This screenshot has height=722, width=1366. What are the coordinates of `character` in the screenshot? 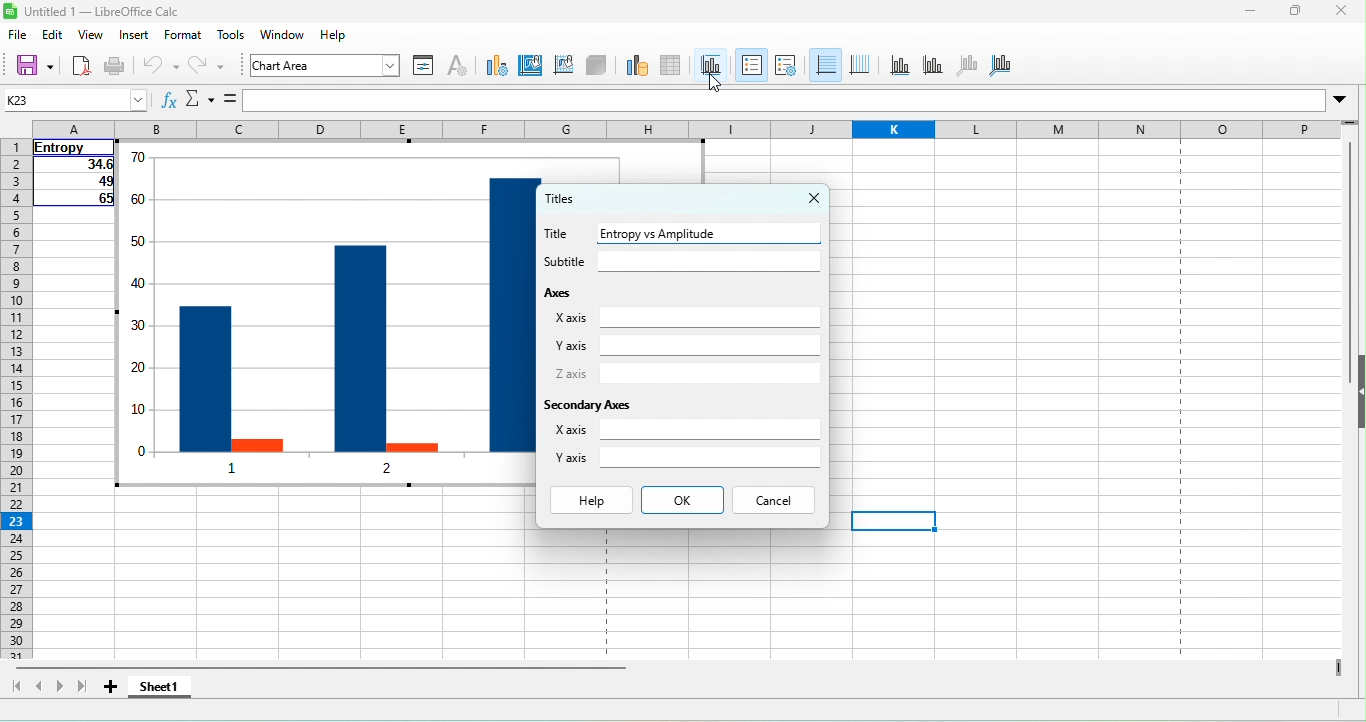 It's located at (460, 68).